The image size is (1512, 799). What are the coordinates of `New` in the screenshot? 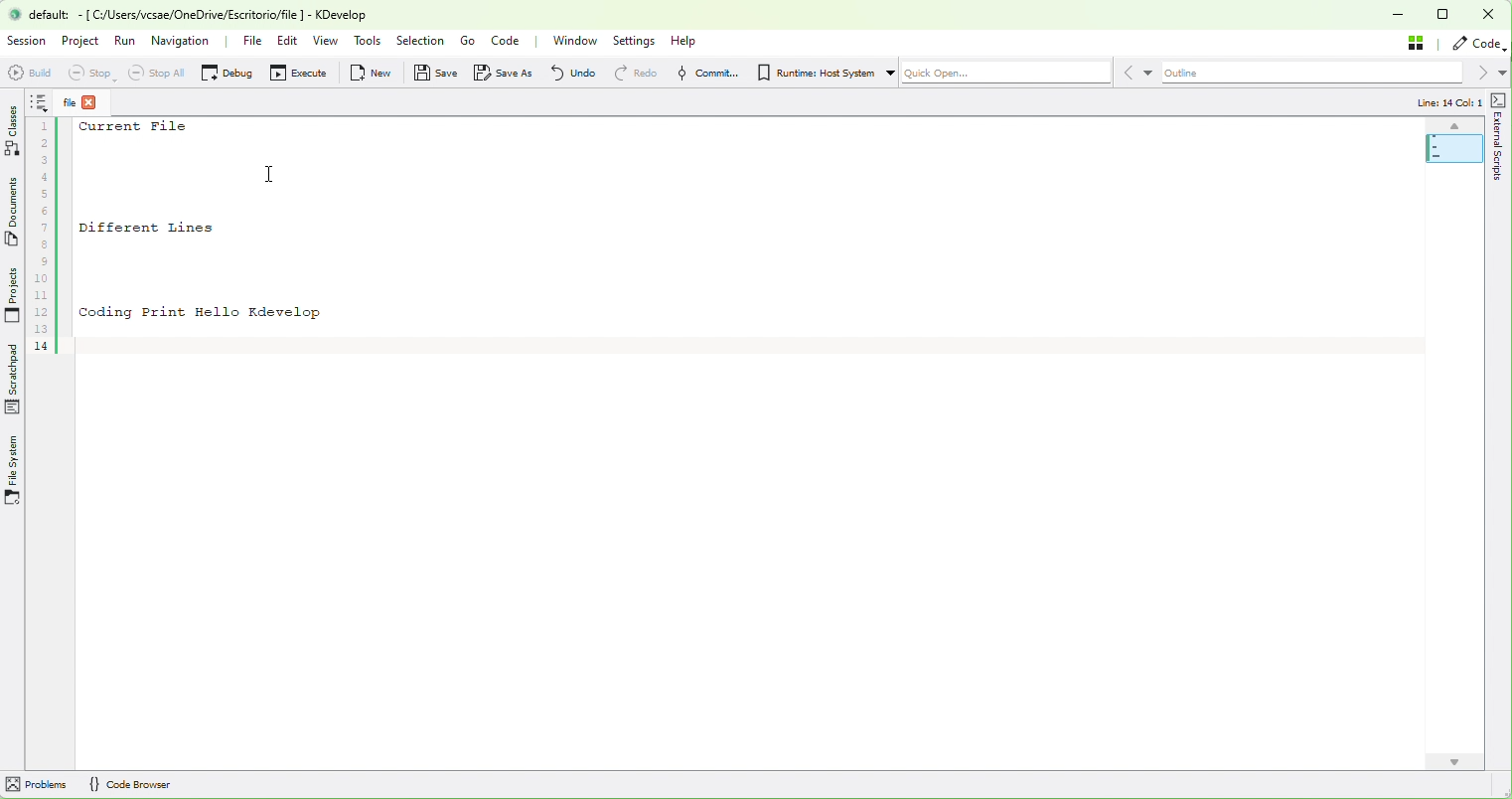 It's located at (363, 72).